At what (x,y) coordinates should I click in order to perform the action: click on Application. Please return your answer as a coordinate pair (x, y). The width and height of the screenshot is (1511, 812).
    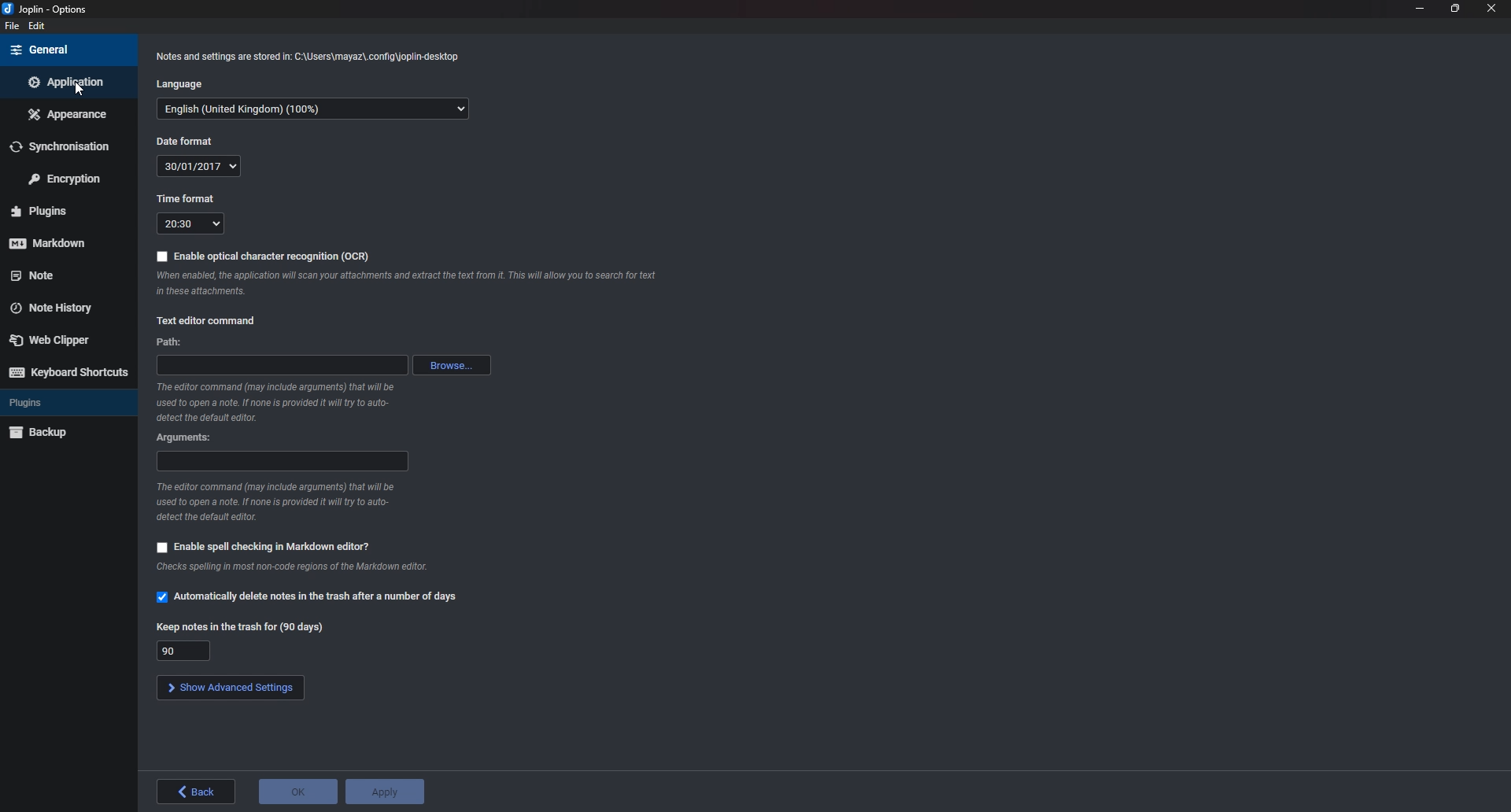
    Looking at the image, I should click on (68, 82).